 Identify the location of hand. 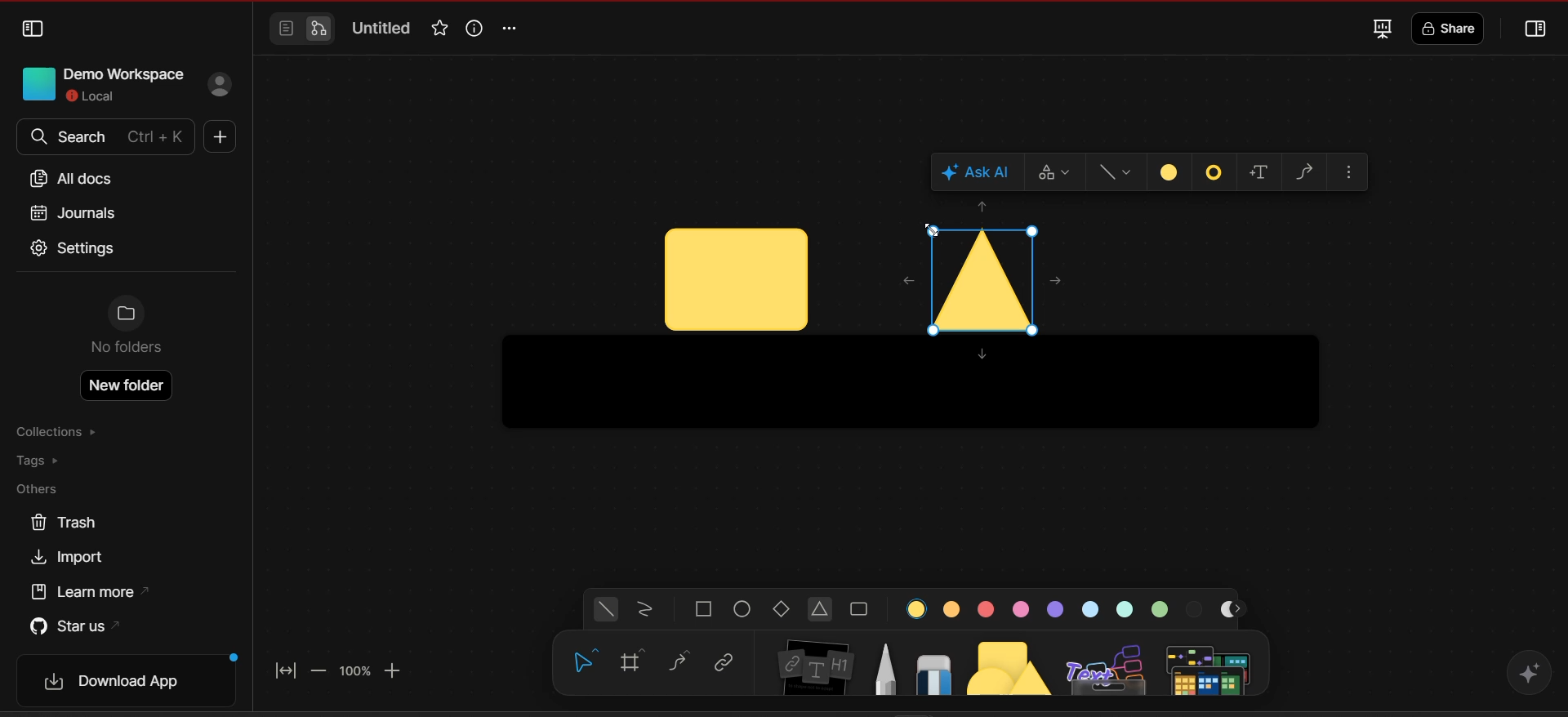
(581, 664).